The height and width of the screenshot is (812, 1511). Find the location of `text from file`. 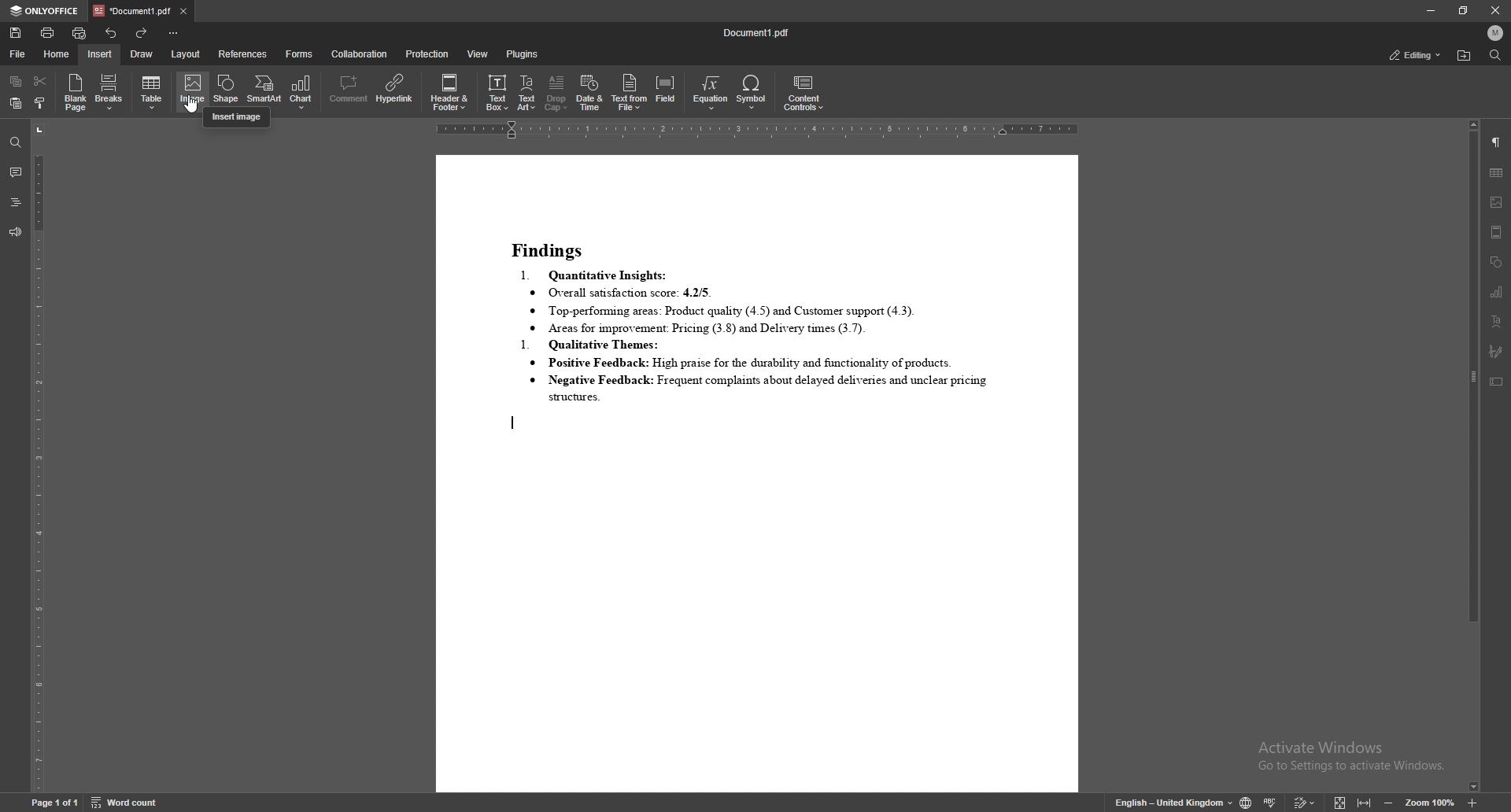

text from file is located at coordinates (629, 93).